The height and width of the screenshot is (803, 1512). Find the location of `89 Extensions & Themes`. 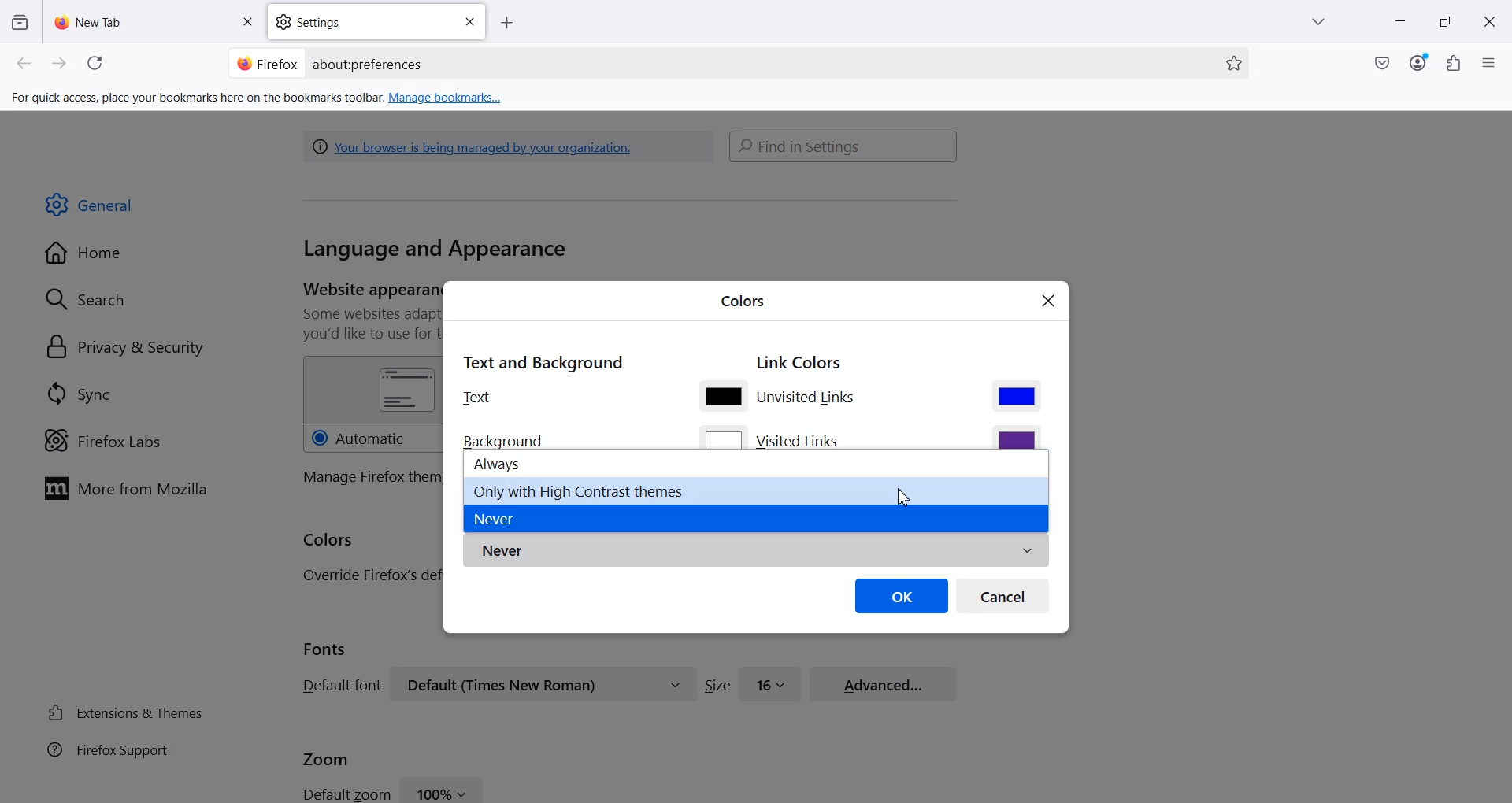

89 Extensions & Themes is located at coordinates (124, 712).